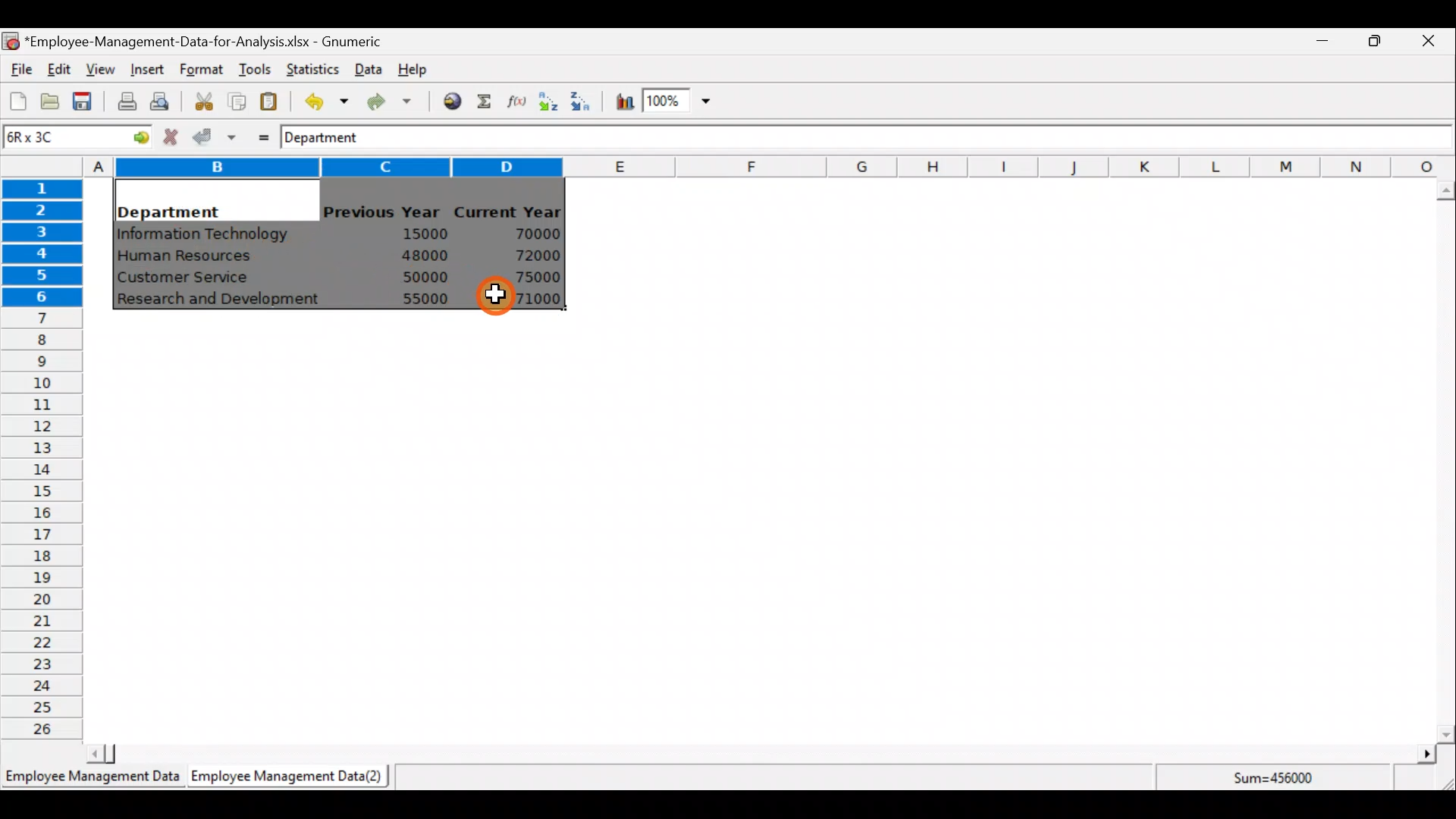  What do you see at coordinates (146, 70) in the screenshot?
I see `Insert` at bounding box center [146, 70].